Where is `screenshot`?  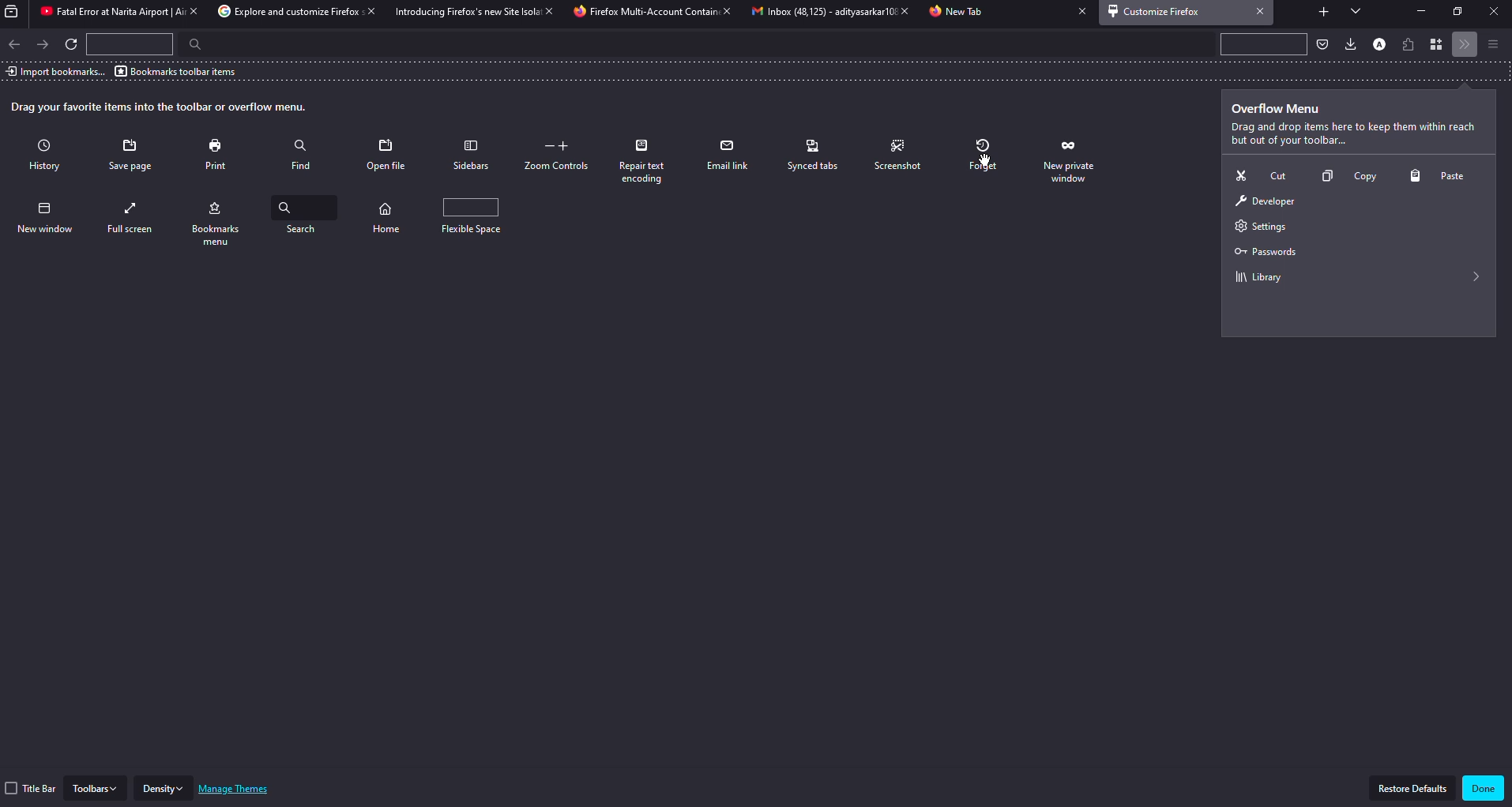 screenshot is located at coordinates (900, 156).